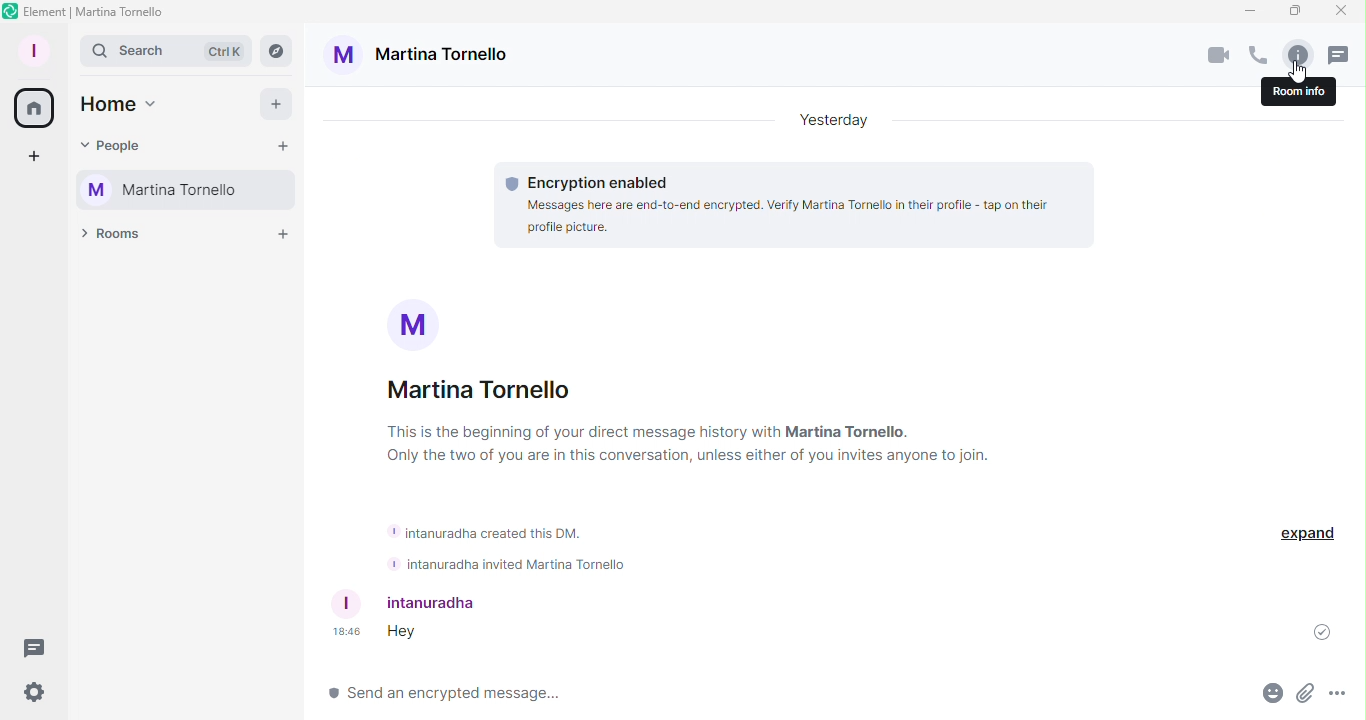  I want to click on Start chat, so click(286, 146).